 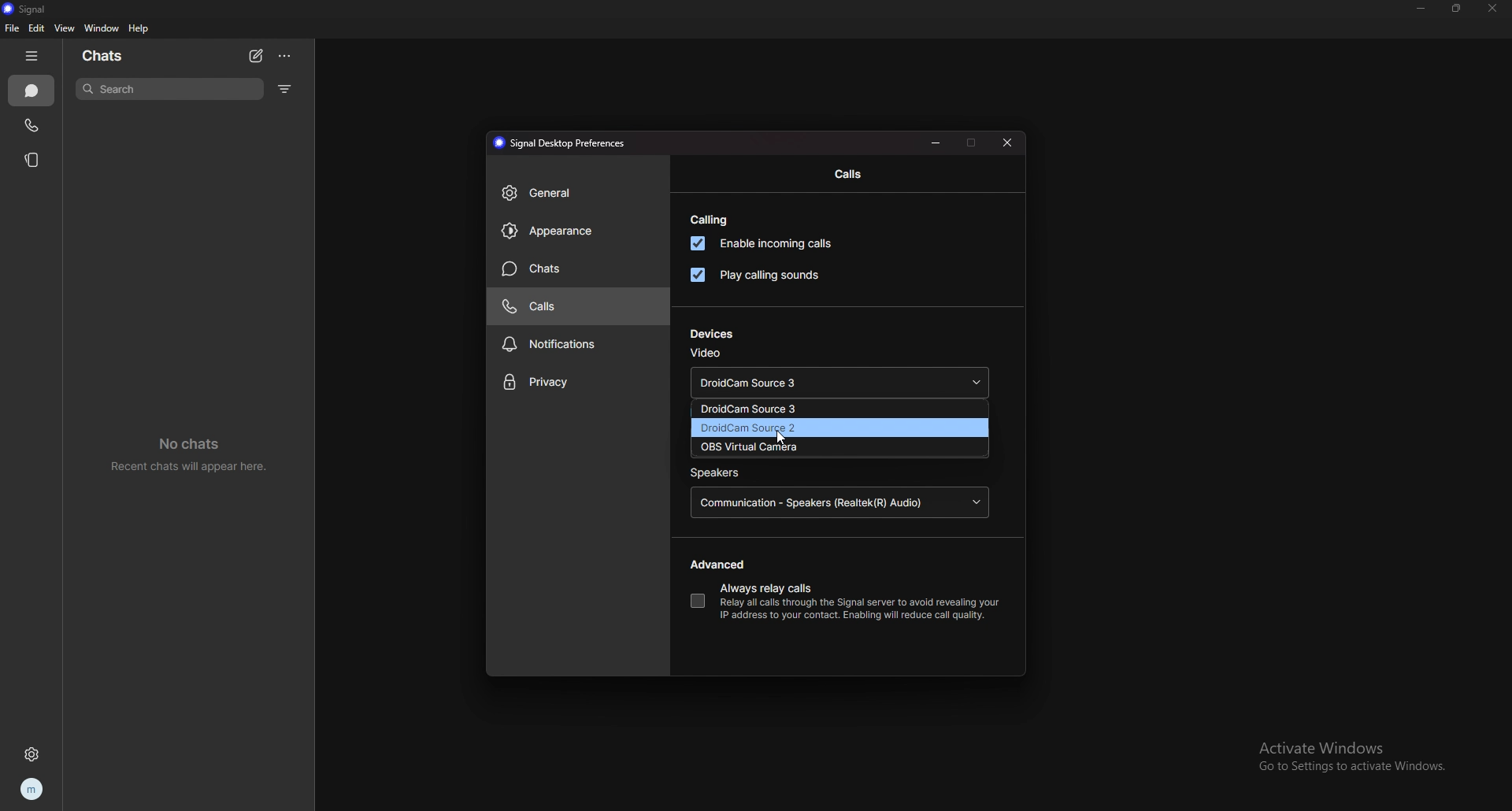 I want to click on preferences, so click(x=558, y=143).